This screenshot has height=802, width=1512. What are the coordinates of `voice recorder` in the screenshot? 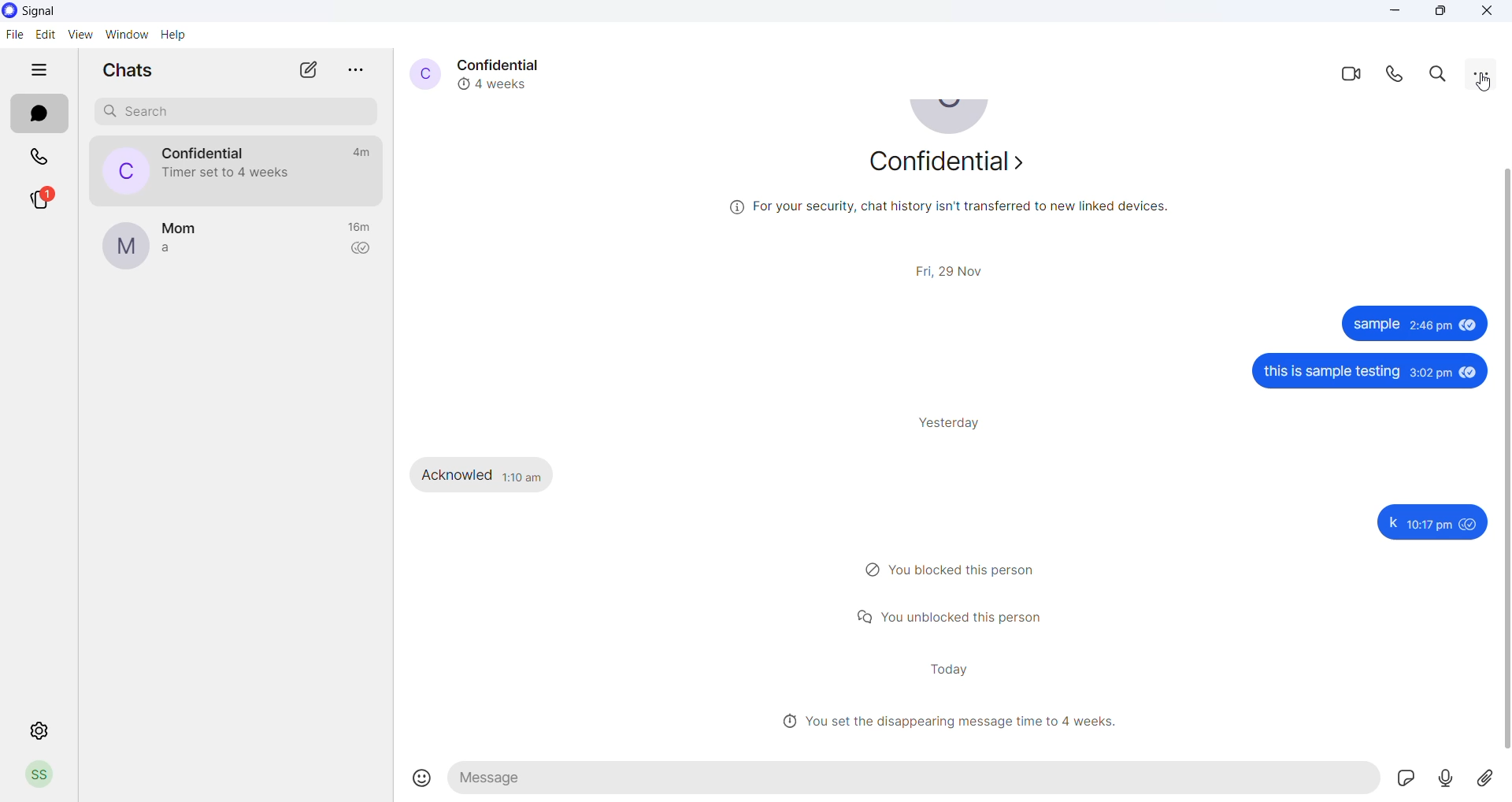 It's located at (1455, 779).